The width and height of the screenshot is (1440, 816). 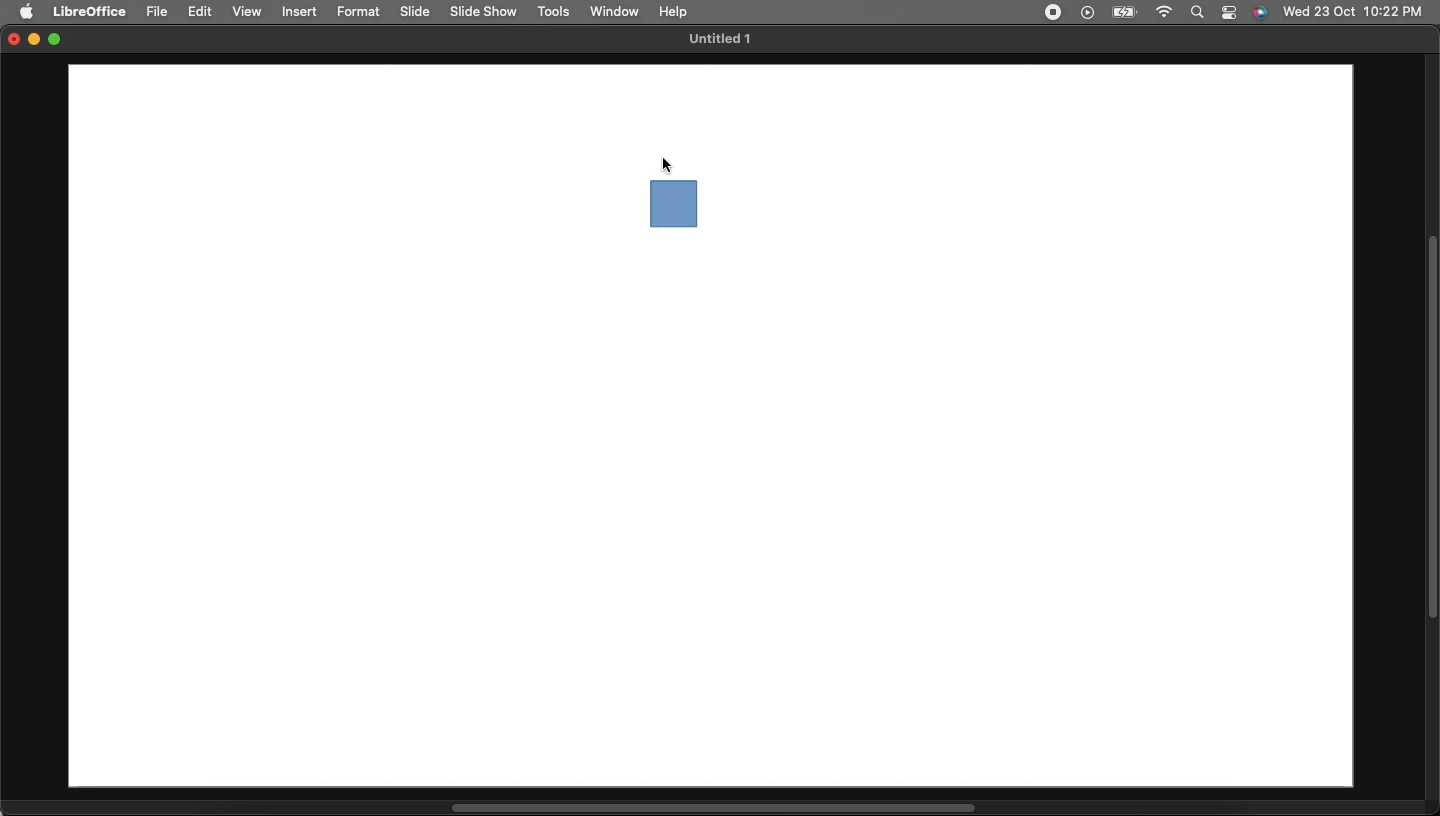 I want to click on Search, so click(x=1196, y=13).